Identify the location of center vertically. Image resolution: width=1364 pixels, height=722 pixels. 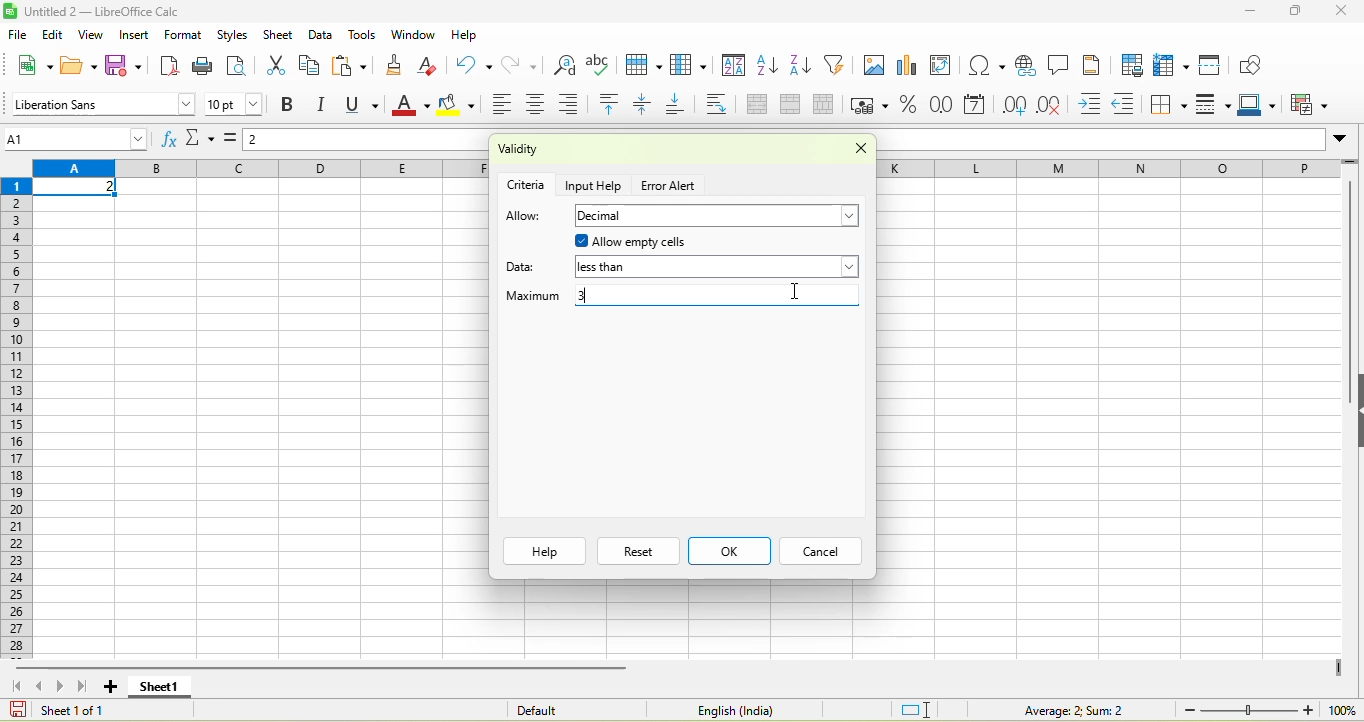
(648, 105).